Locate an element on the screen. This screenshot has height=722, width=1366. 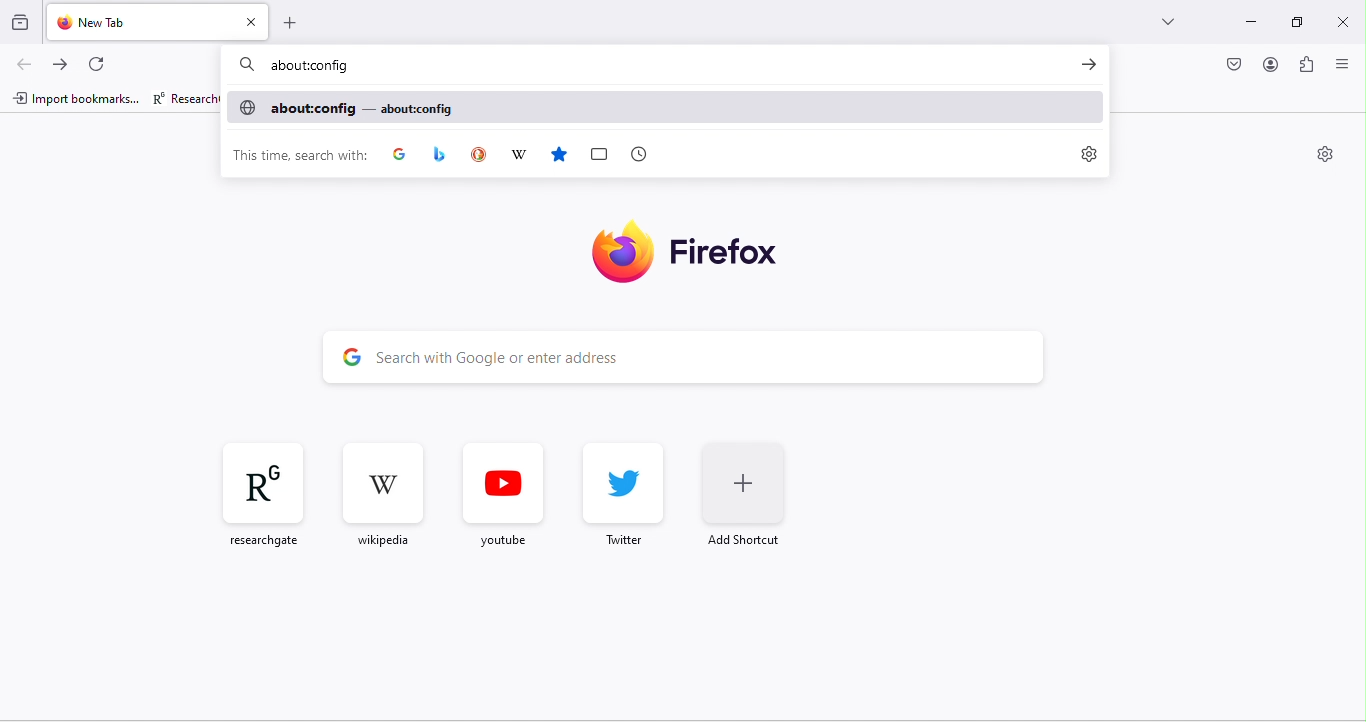
refresh is located at coordinates (96, 62).